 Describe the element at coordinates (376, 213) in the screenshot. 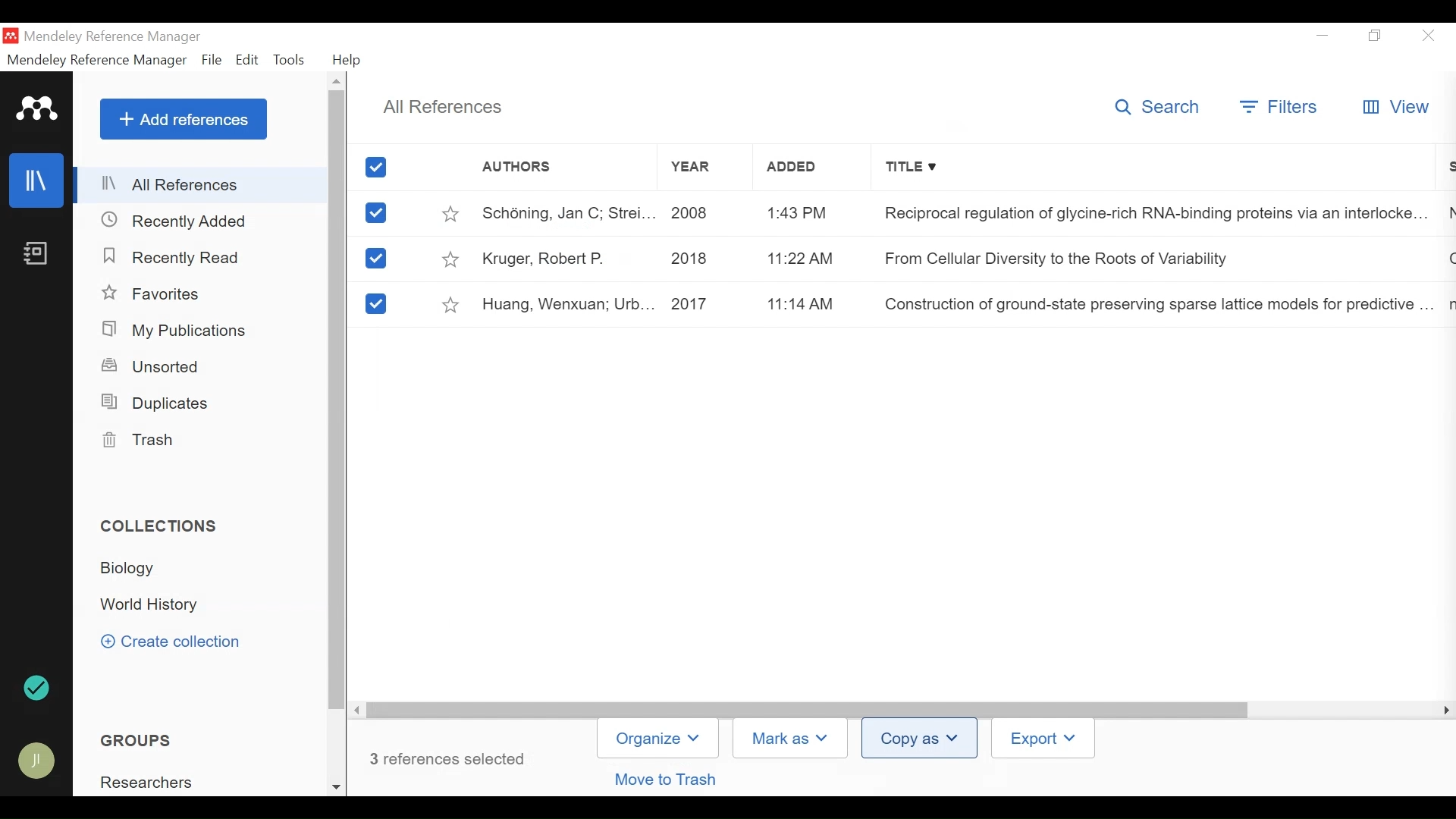

I see `(un)select` at that location.